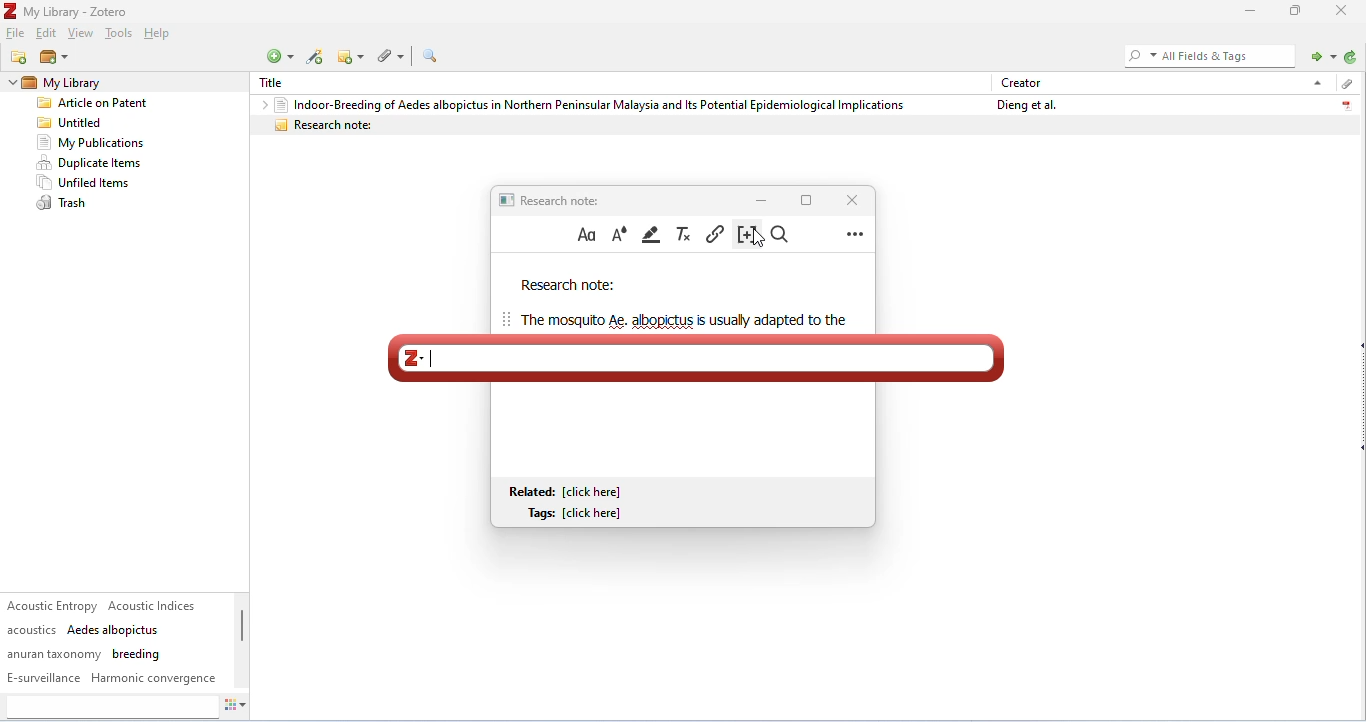  Describe the element at coordinates (715, 233) in the screenshot. I see `insert link` at that location.